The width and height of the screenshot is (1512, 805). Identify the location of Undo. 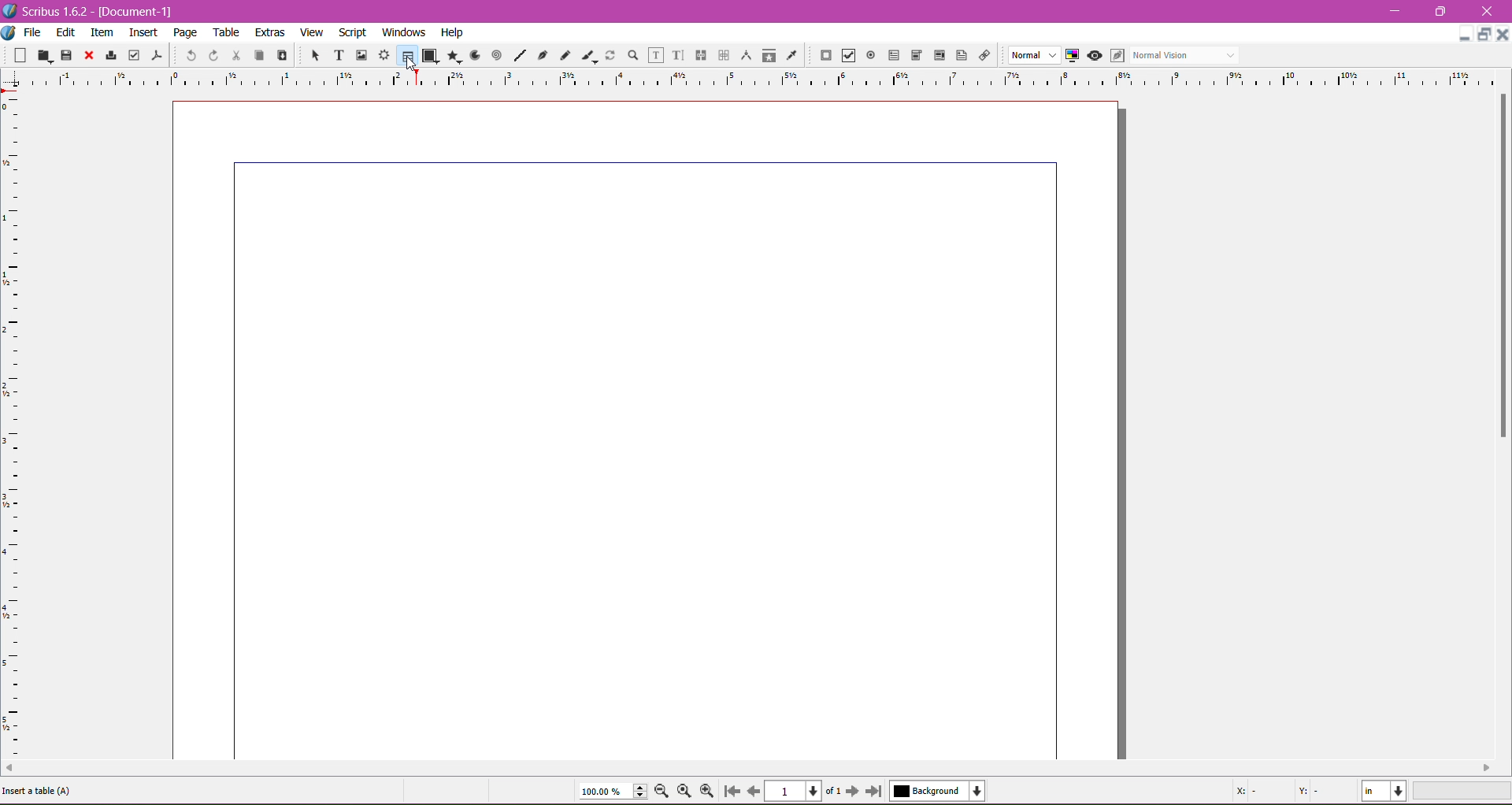
(189, 54).